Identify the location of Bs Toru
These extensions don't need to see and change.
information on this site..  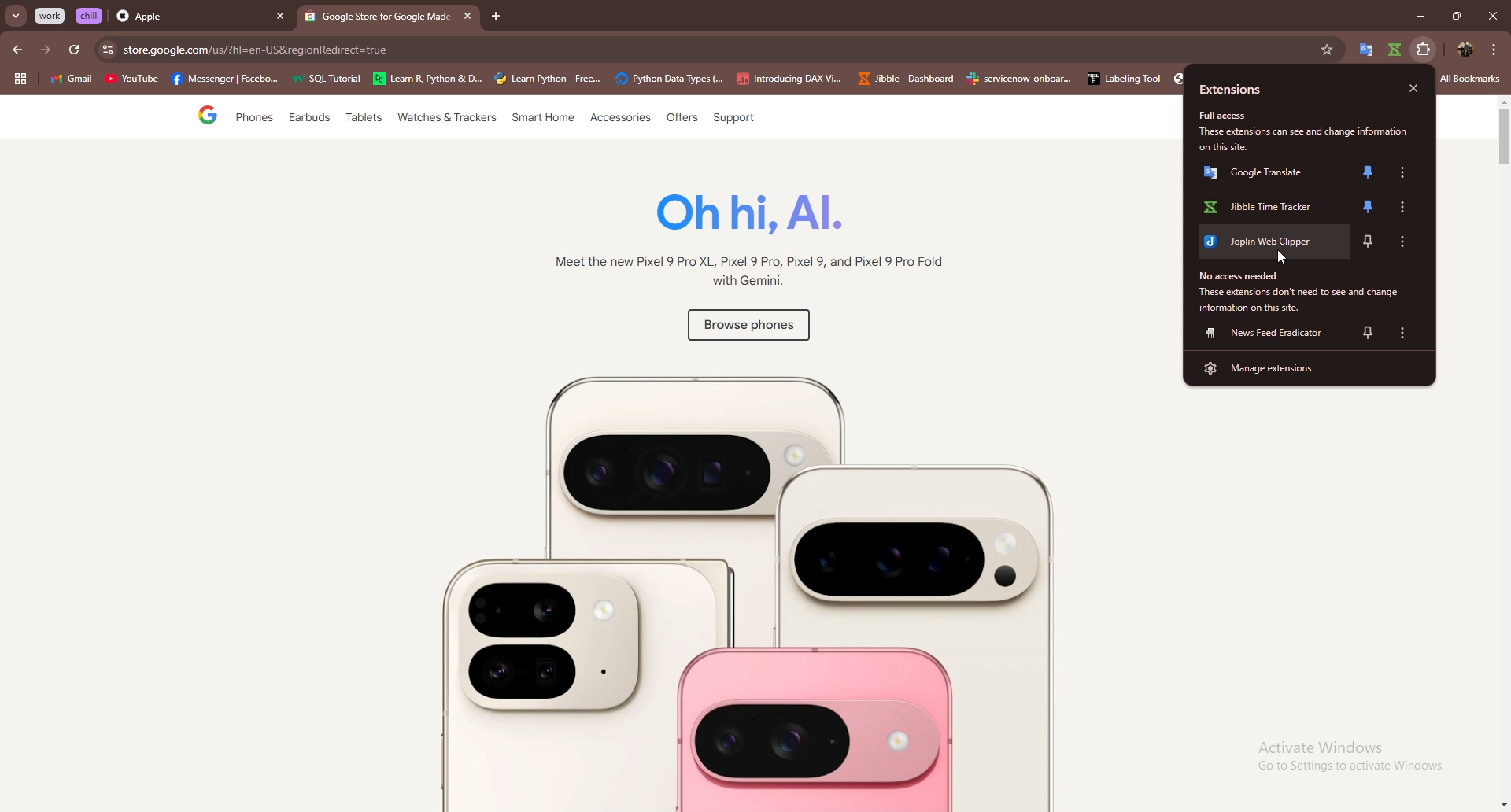
(1299, 292).